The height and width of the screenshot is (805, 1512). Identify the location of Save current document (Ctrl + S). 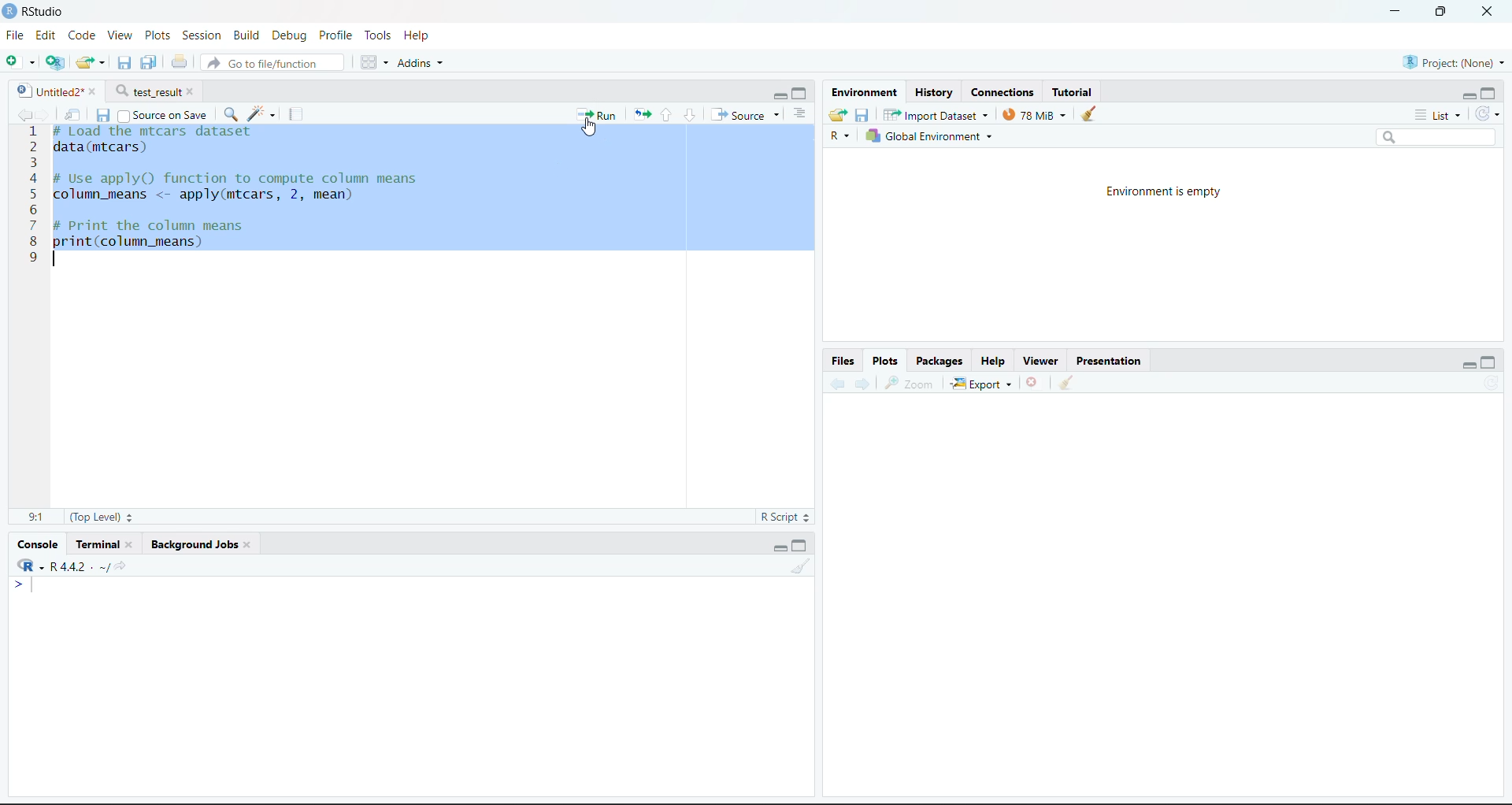
(103, 114).